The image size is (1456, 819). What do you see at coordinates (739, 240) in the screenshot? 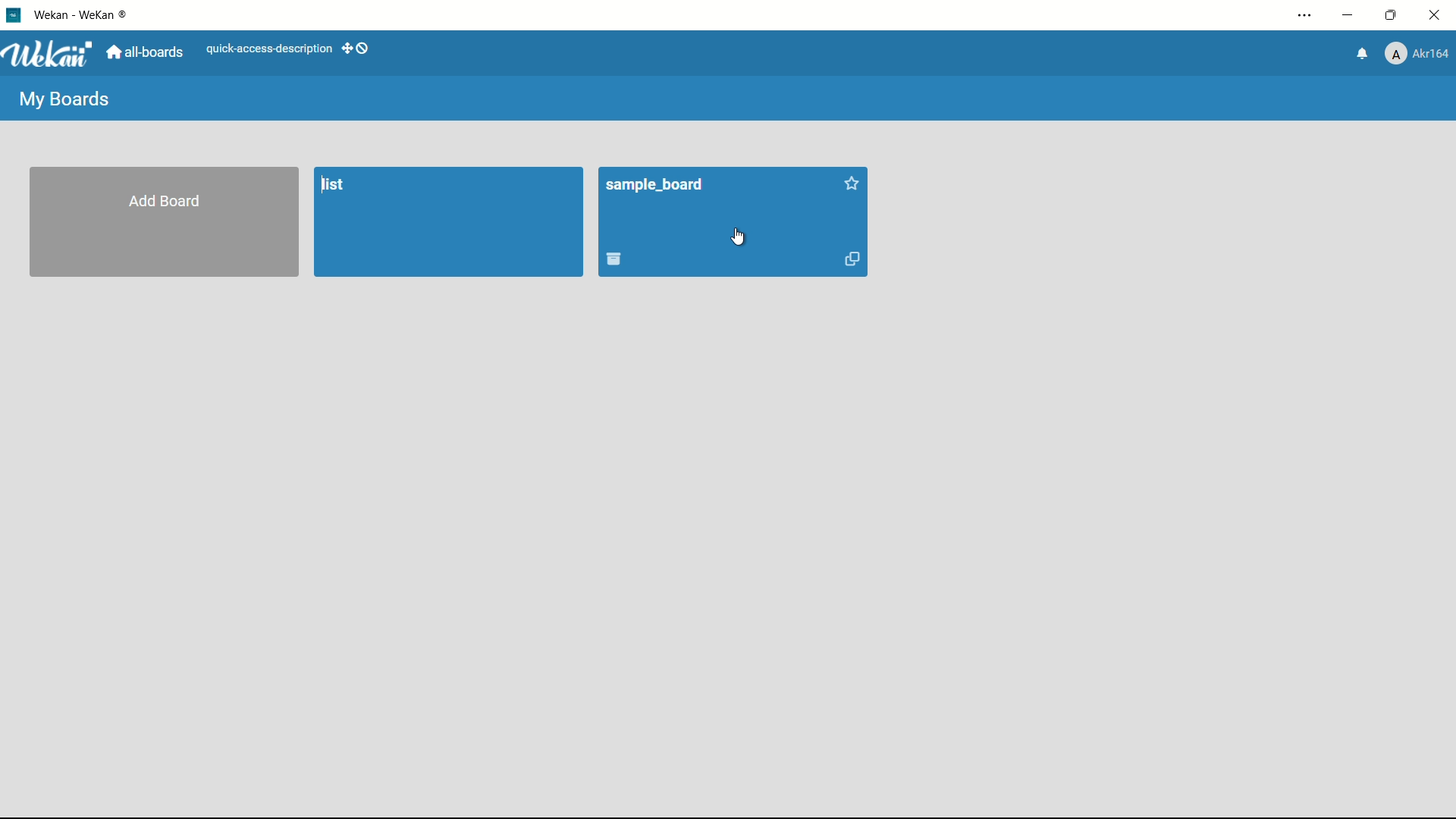
I see `cursor` at bounding box center [739, 240].